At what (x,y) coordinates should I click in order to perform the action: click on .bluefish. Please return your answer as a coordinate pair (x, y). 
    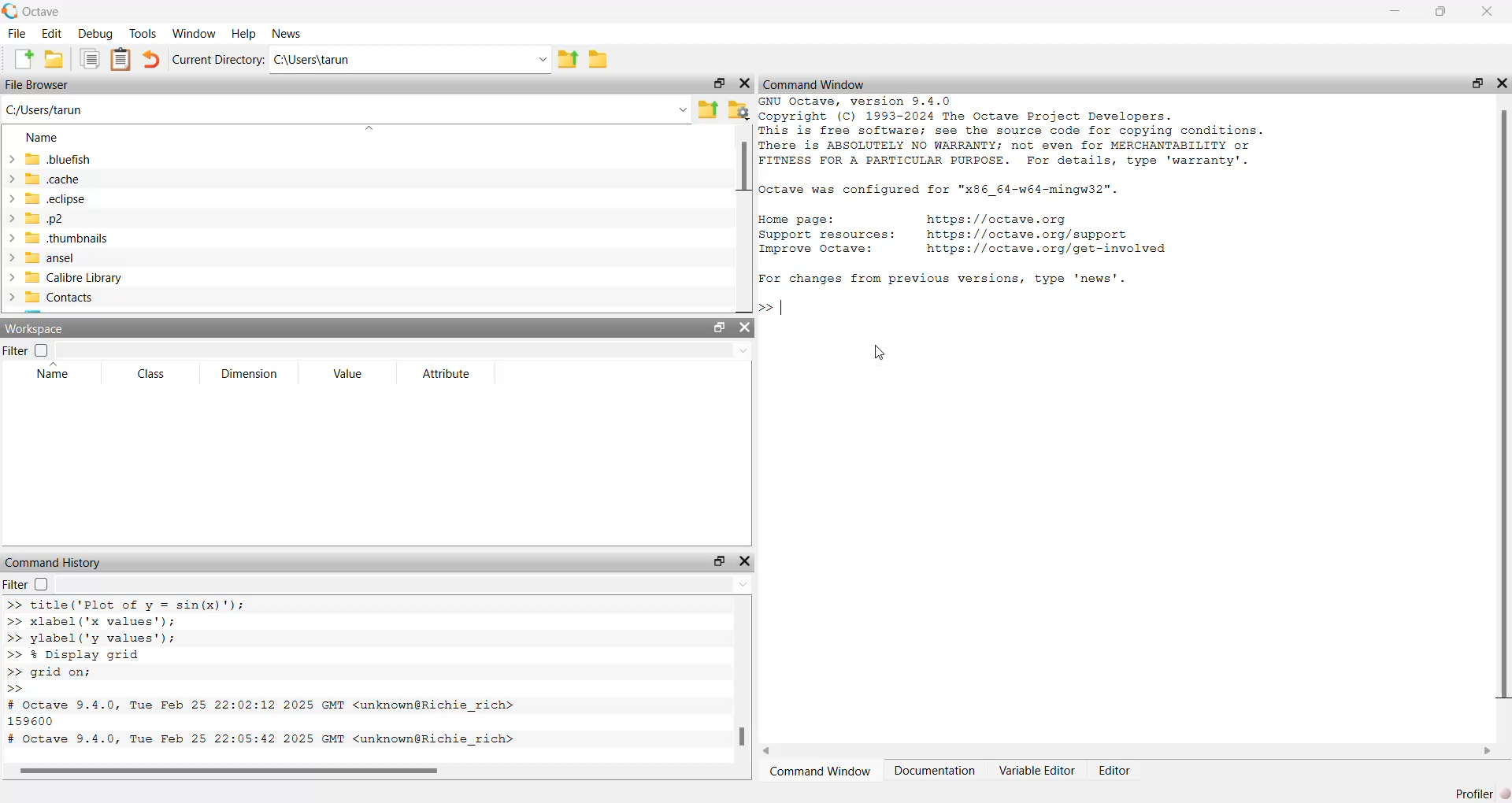
    Looking at the image, I should click on (55, 159).